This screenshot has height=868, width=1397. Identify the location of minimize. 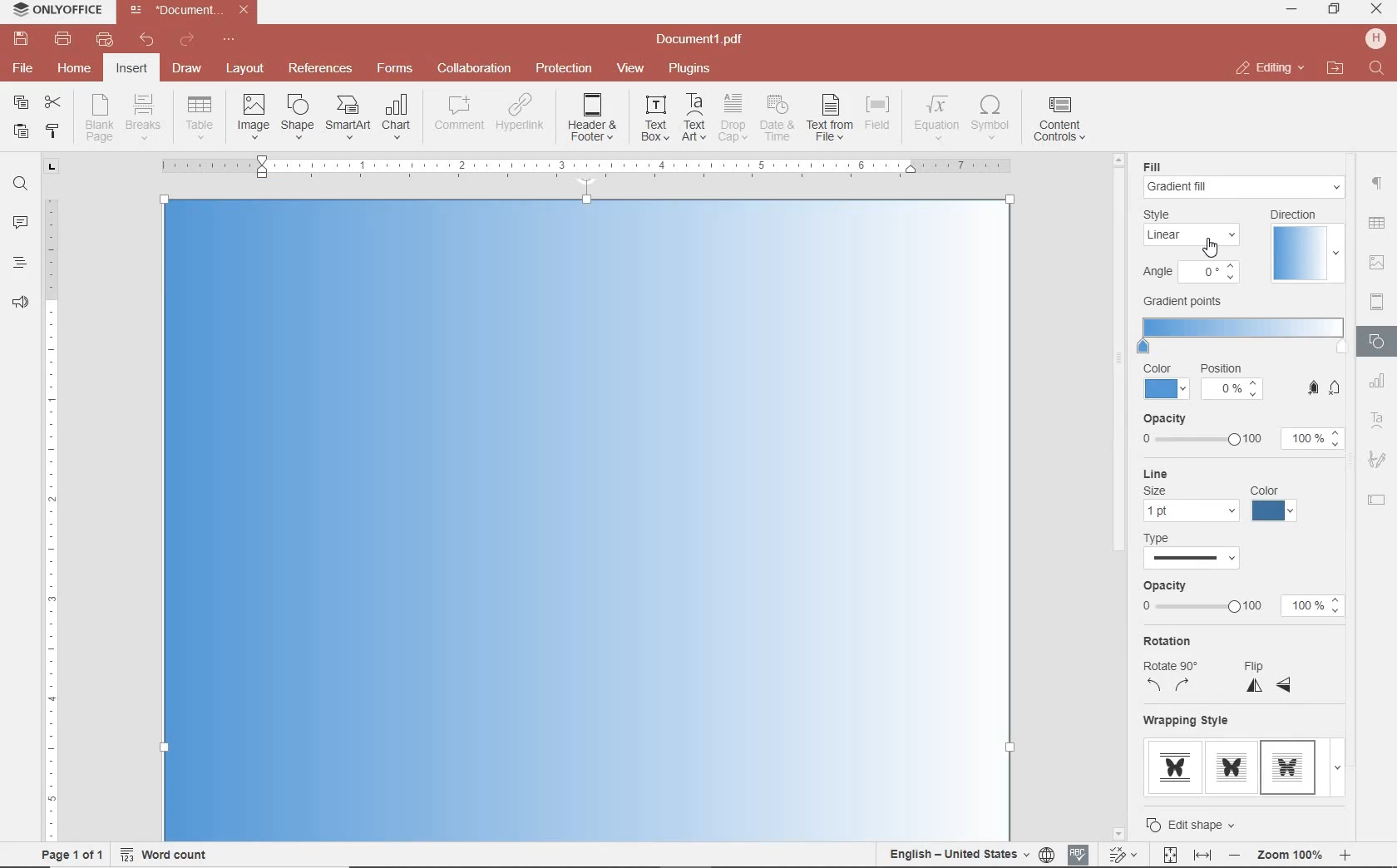
(1293, 9).